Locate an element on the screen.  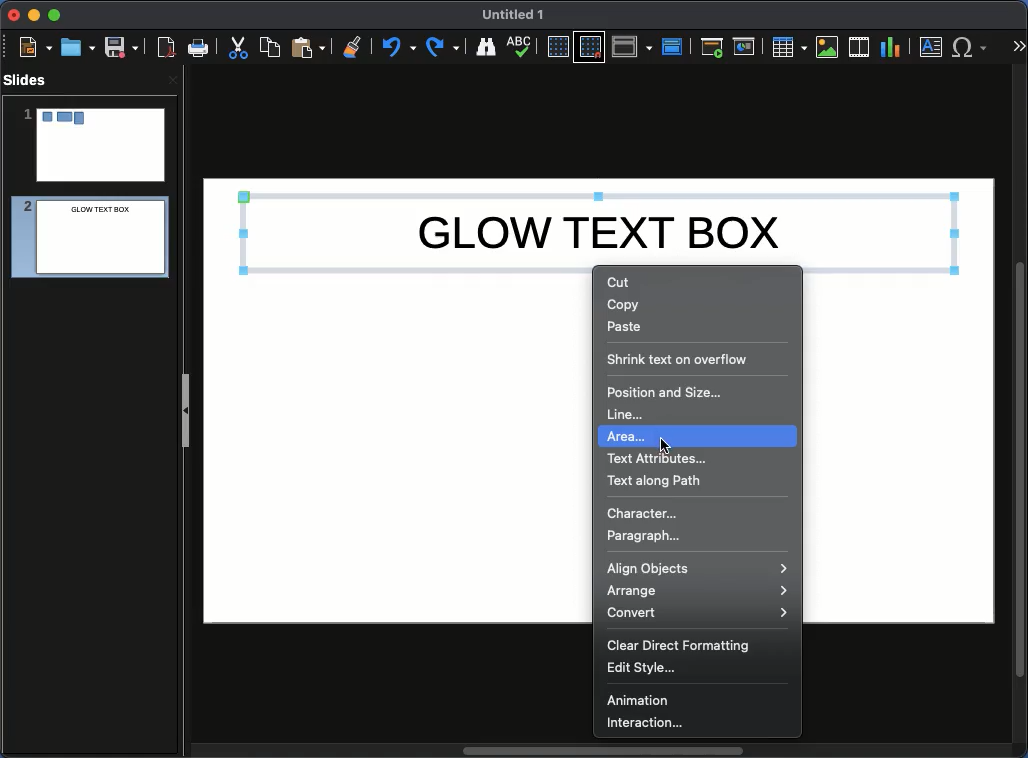
First slide is located at coordinates (712, 47).